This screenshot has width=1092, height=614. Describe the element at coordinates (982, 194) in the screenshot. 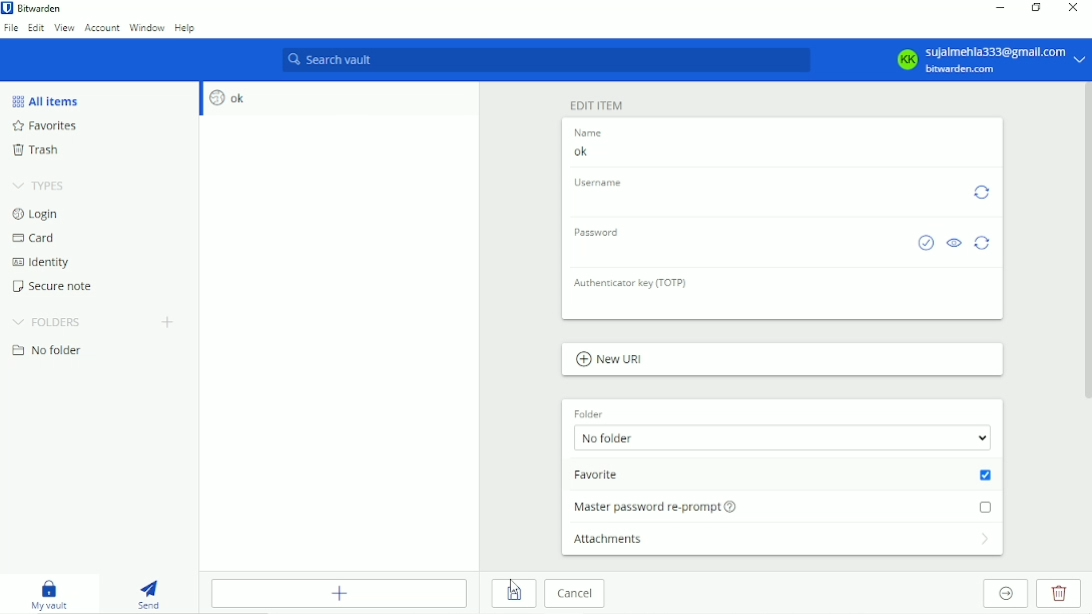

I see `Generate username` at that location.